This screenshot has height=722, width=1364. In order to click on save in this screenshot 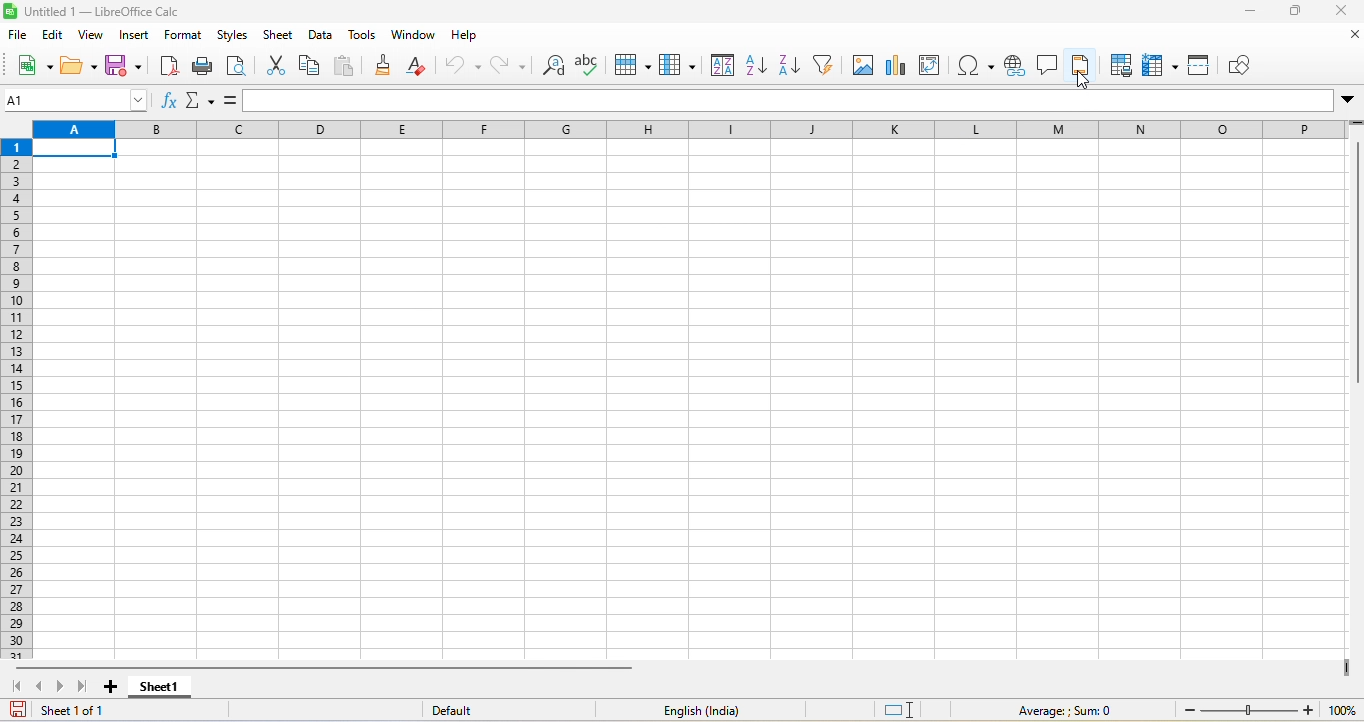, I will do `click(123, 67)`.